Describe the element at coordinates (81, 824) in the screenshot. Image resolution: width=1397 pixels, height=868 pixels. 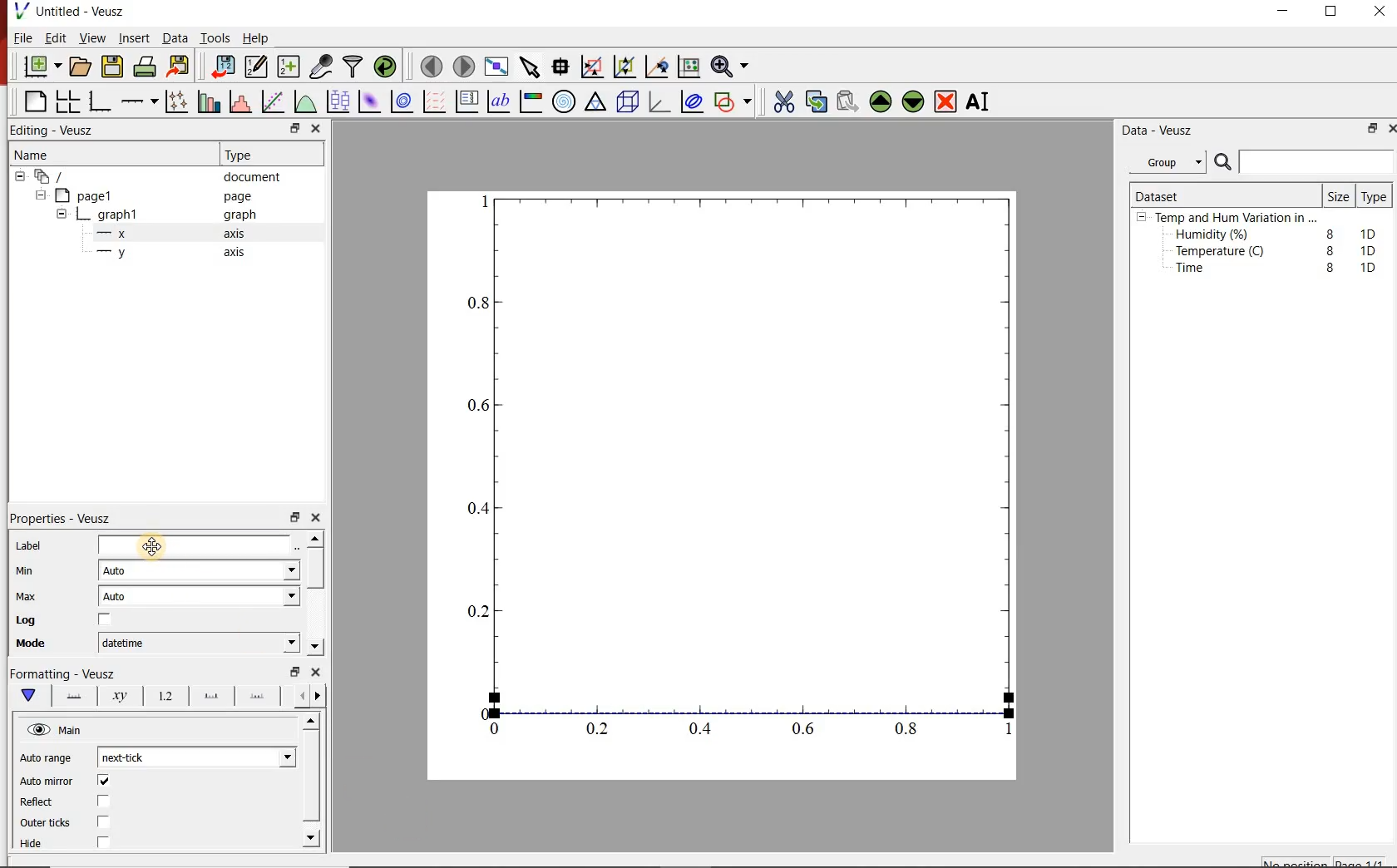
I see `Outer ticks` at that location.